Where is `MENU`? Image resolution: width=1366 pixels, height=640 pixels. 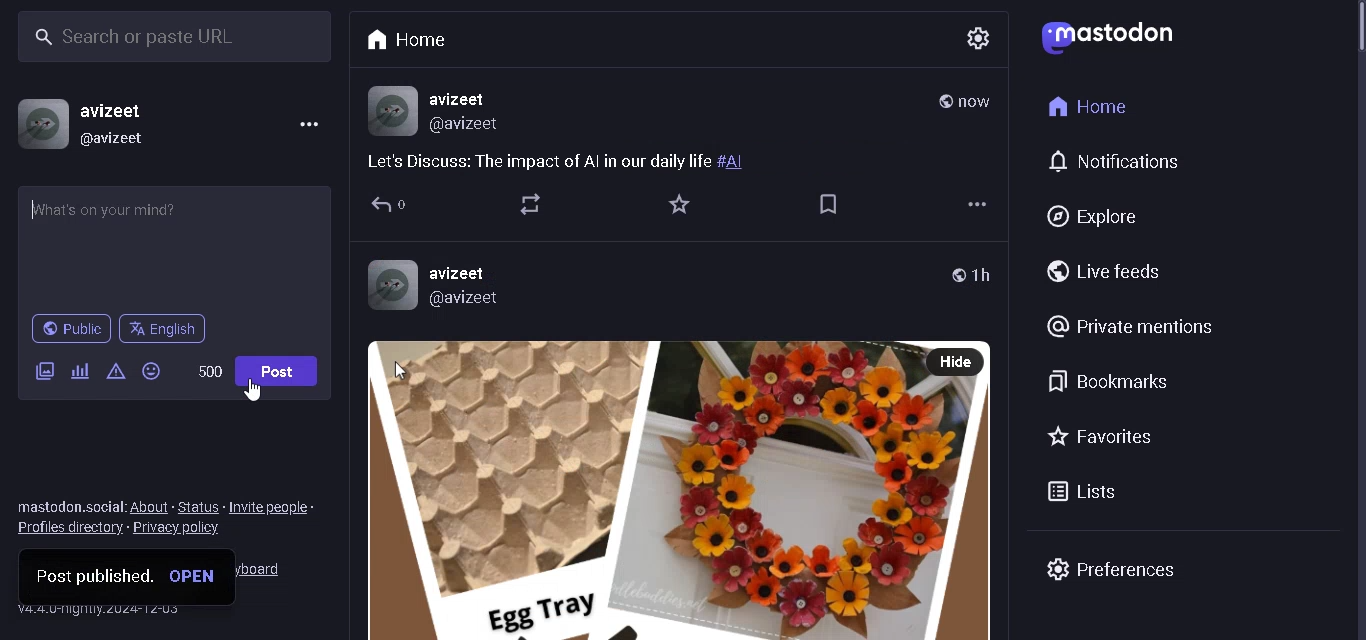 MENU is located at coordinates (305, 127).